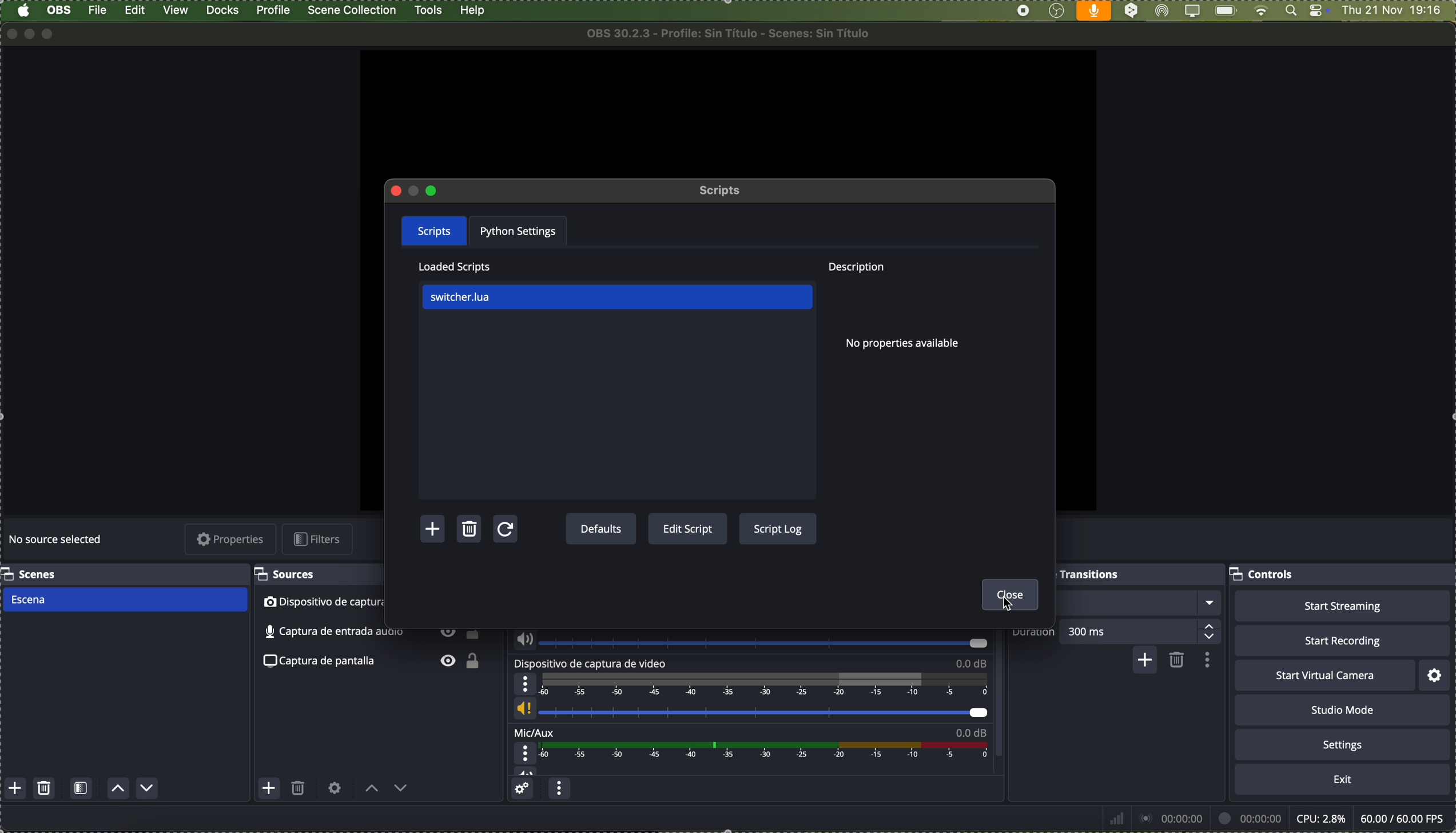 The image size is (1456, 833). What do you see at coordinates (1137, 603) in the screenshot?
I see `fade` at bounding box center [1137, 603].